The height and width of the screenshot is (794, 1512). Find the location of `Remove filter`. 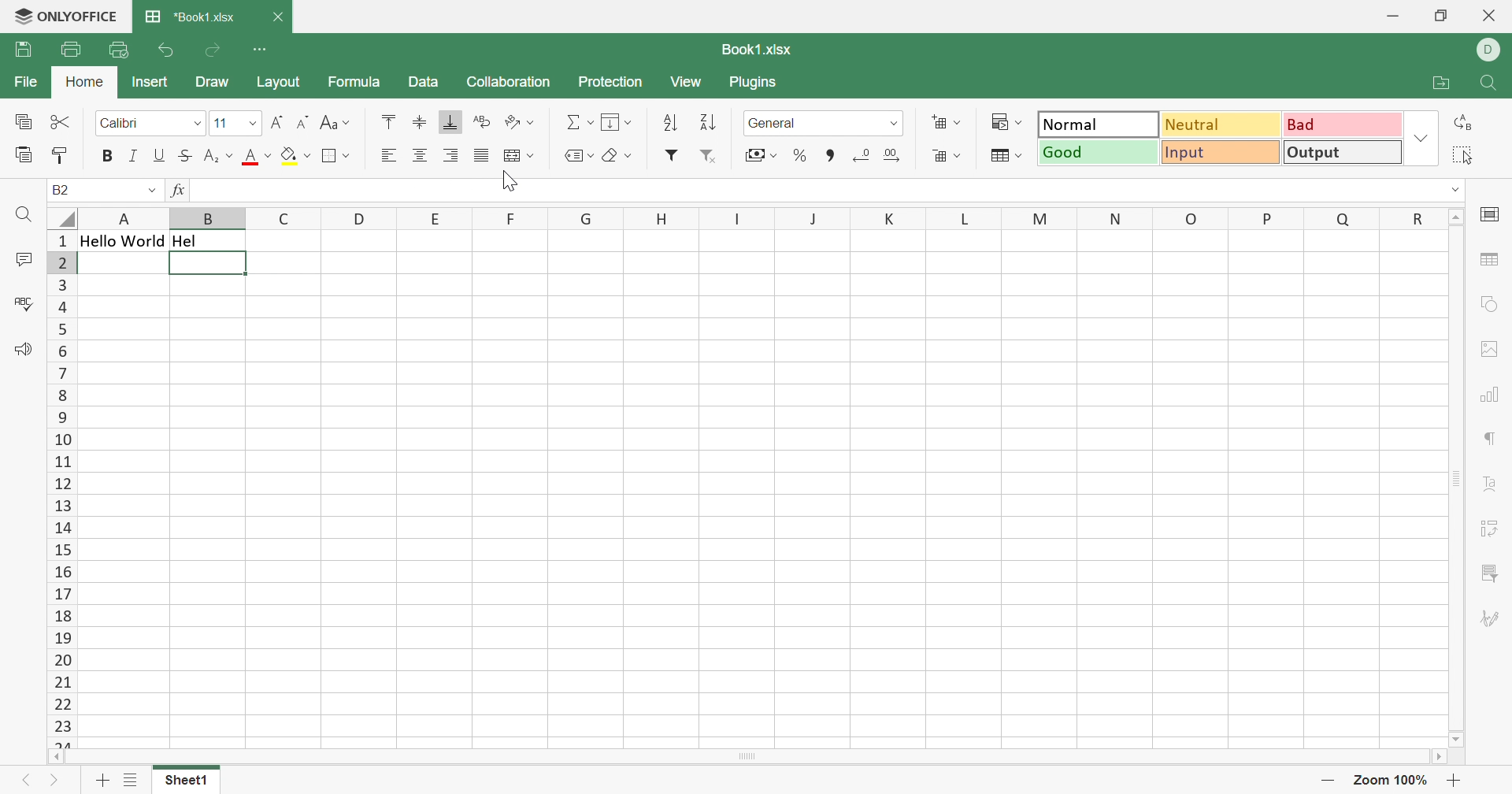

Remove filter is located at coordinates (708, 158).